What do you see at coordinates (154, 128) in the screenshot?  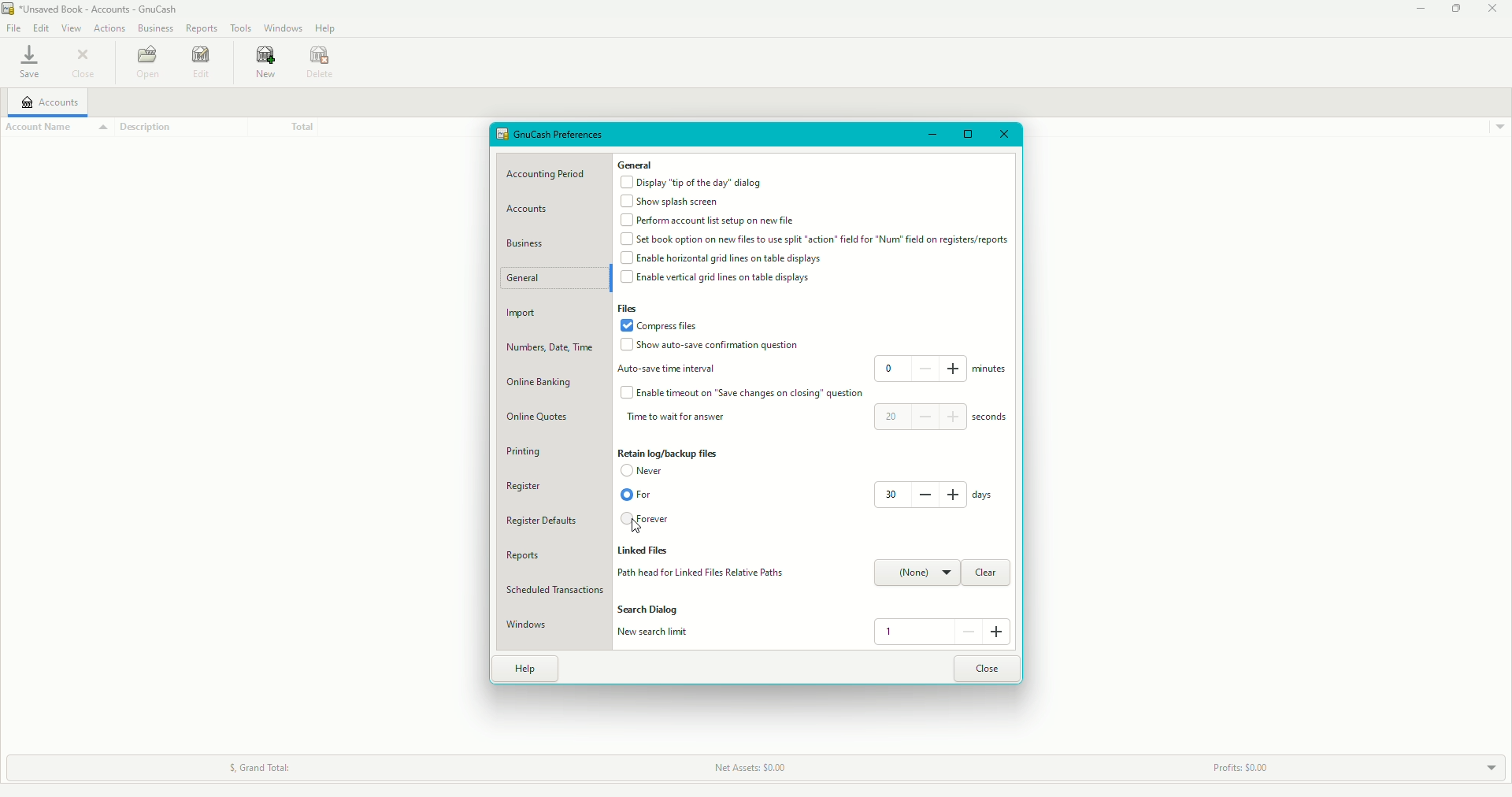 I see `Description` at bounding box center [154, 128].